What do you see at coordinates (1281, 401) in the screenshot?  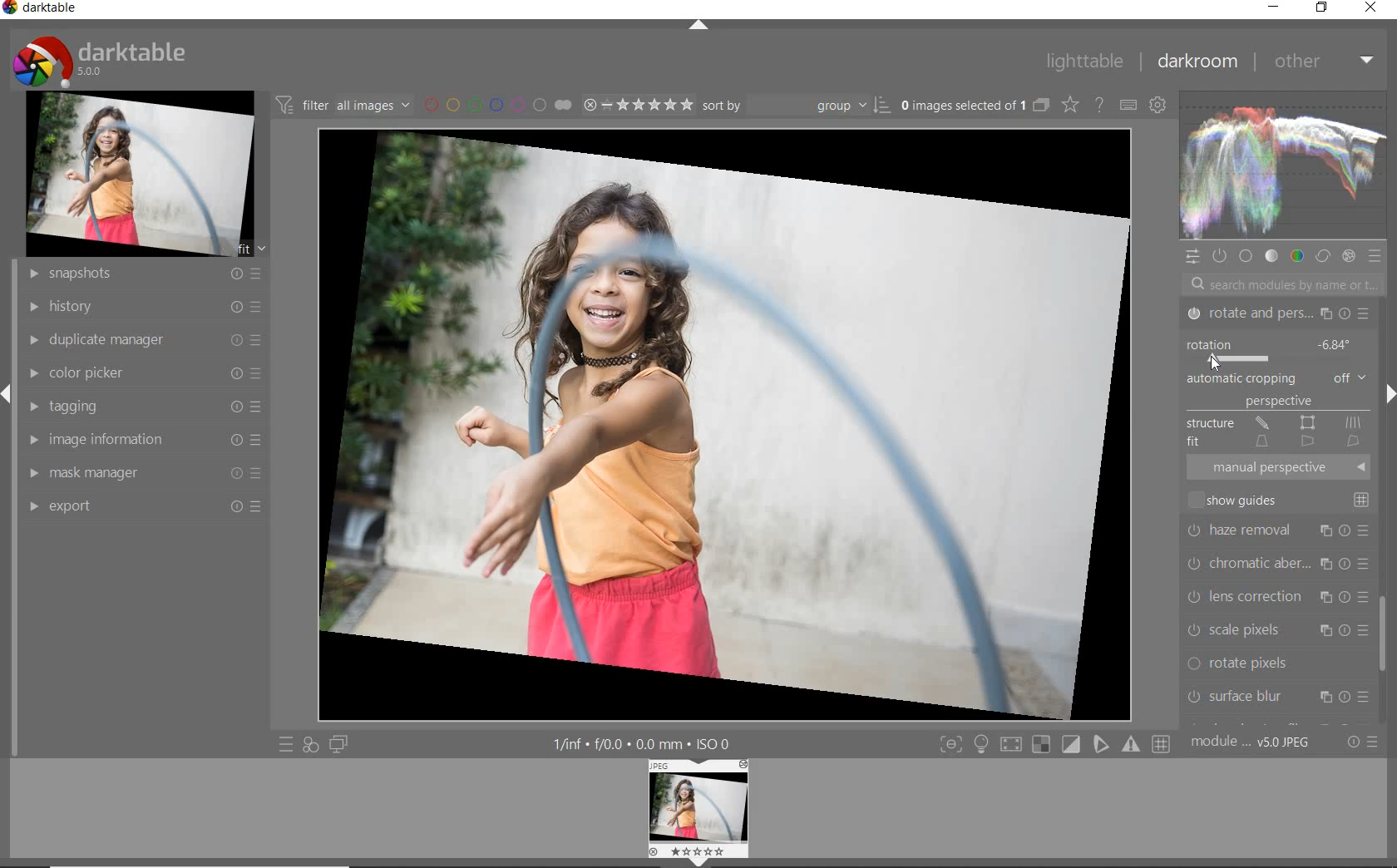 I see `PERSPECTIVE` at bounding box center [1281, 401].